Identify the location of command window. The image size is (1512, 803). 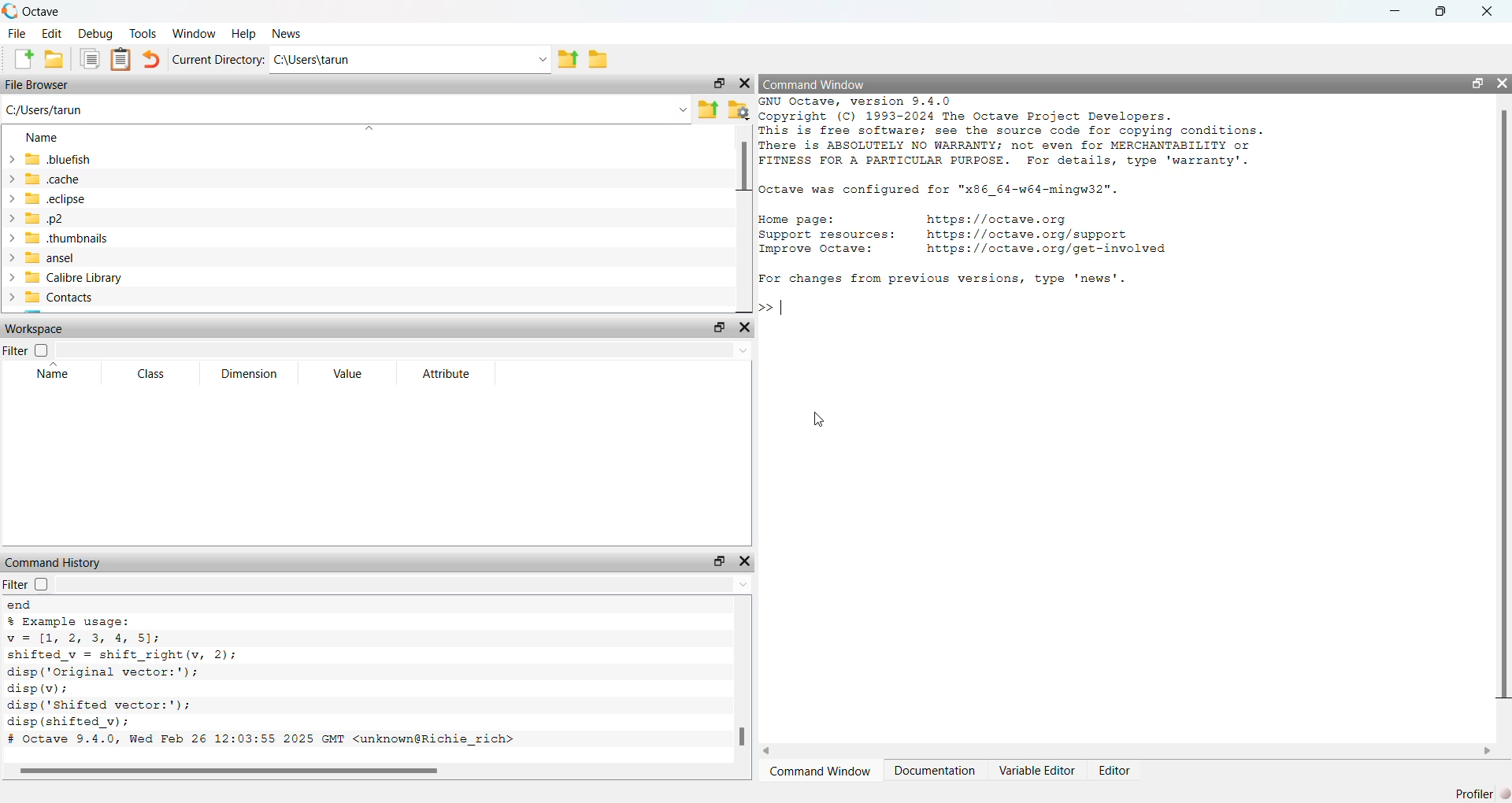
(827, 84).